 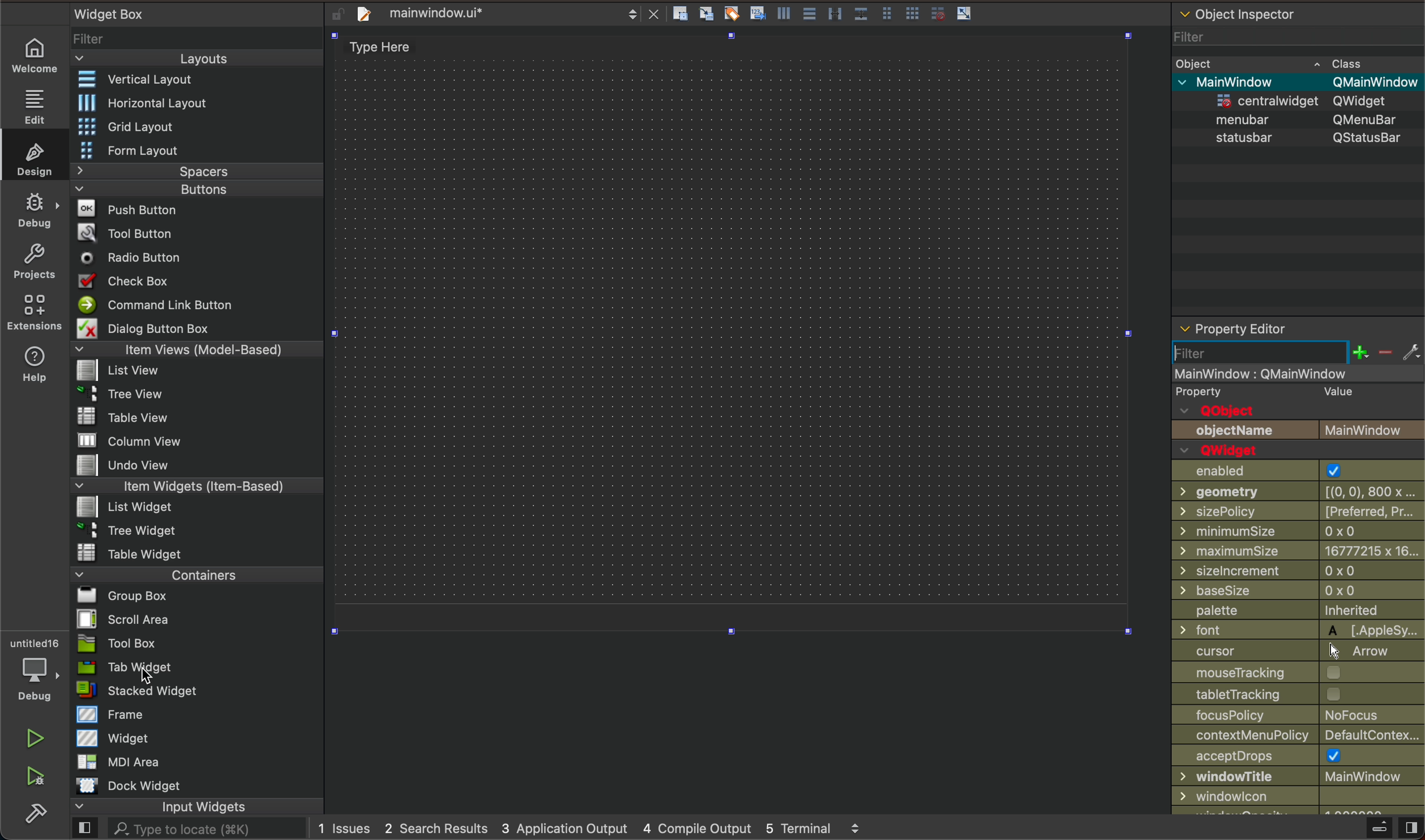 I want to click on cursor, so click(x=1296, y=652).